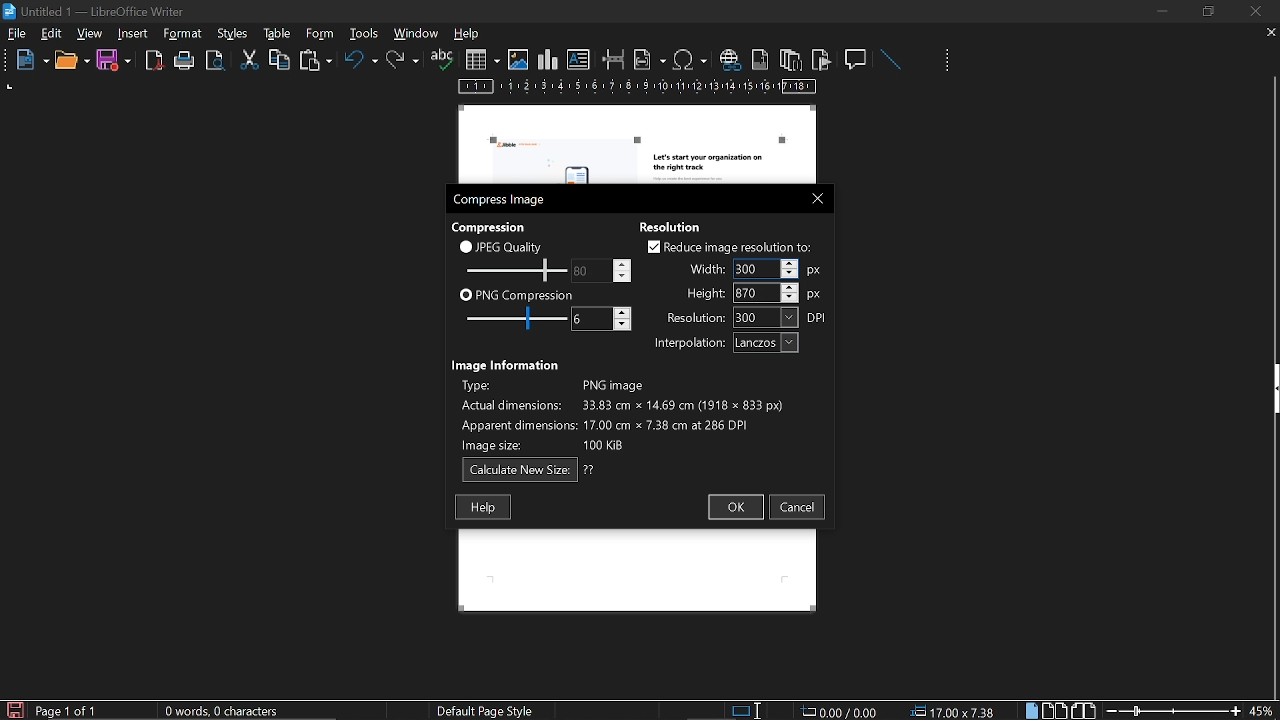 The height and width of the screenshot is (720, 1280). What do you see at coordinates (822, 60) in the screenshot?
I see `insert bookmark` at bounding box center [822, 60].